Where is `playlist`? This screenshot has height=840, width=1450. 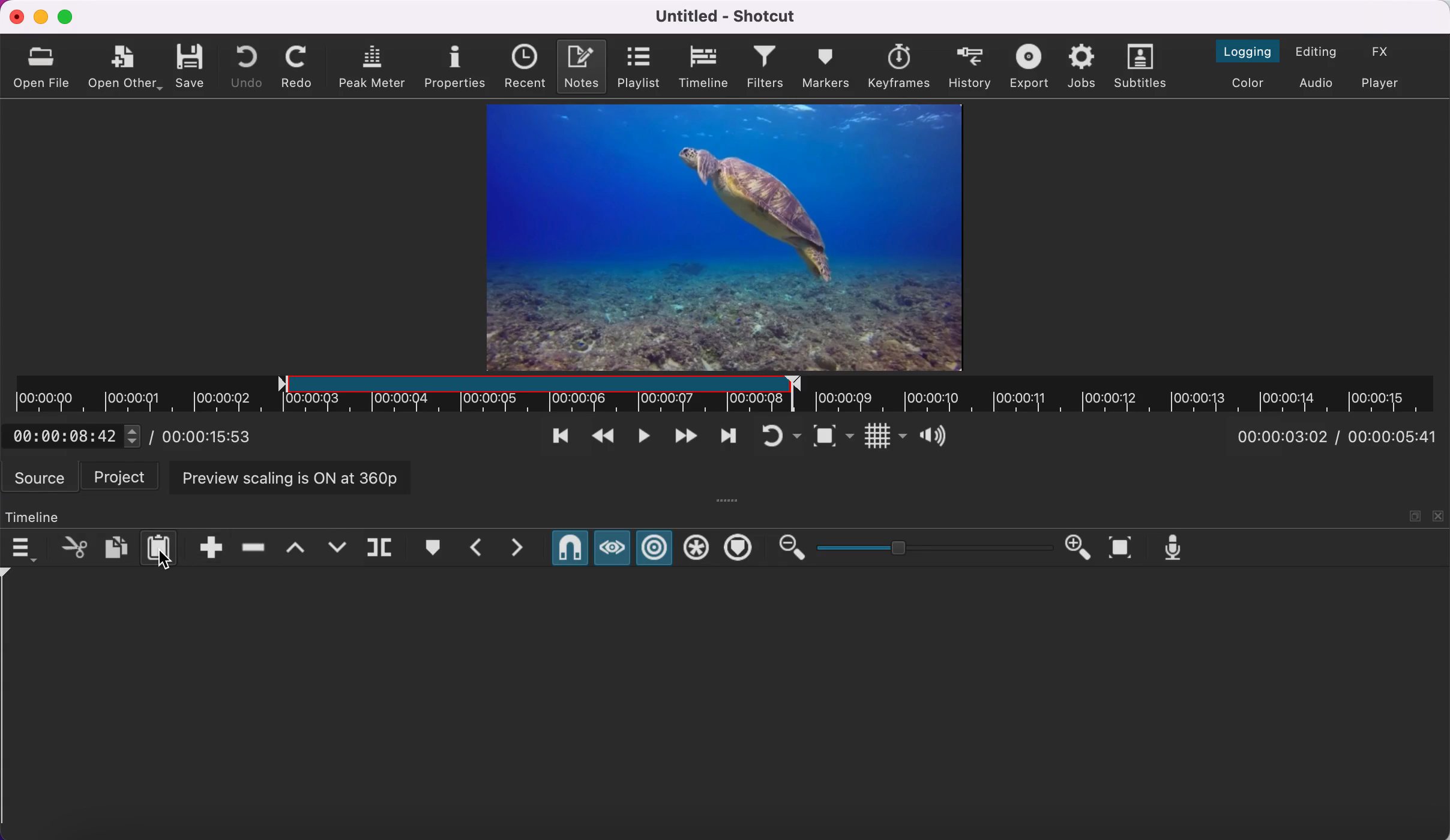
playlist is located at coordinates (640, 68).